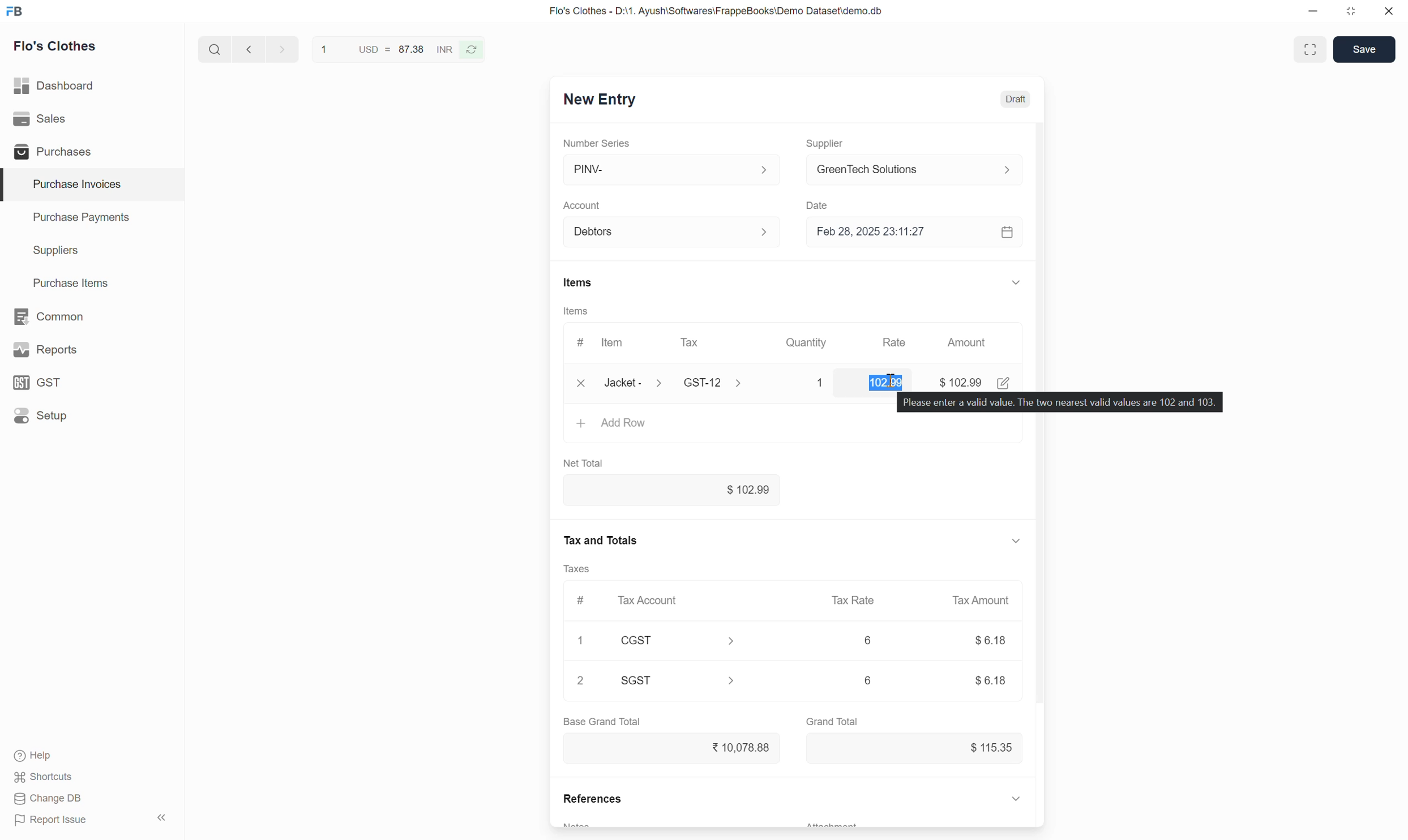  Describe the element at coordinates (249, 49) in the screenshot. I see `Previous` at that location.